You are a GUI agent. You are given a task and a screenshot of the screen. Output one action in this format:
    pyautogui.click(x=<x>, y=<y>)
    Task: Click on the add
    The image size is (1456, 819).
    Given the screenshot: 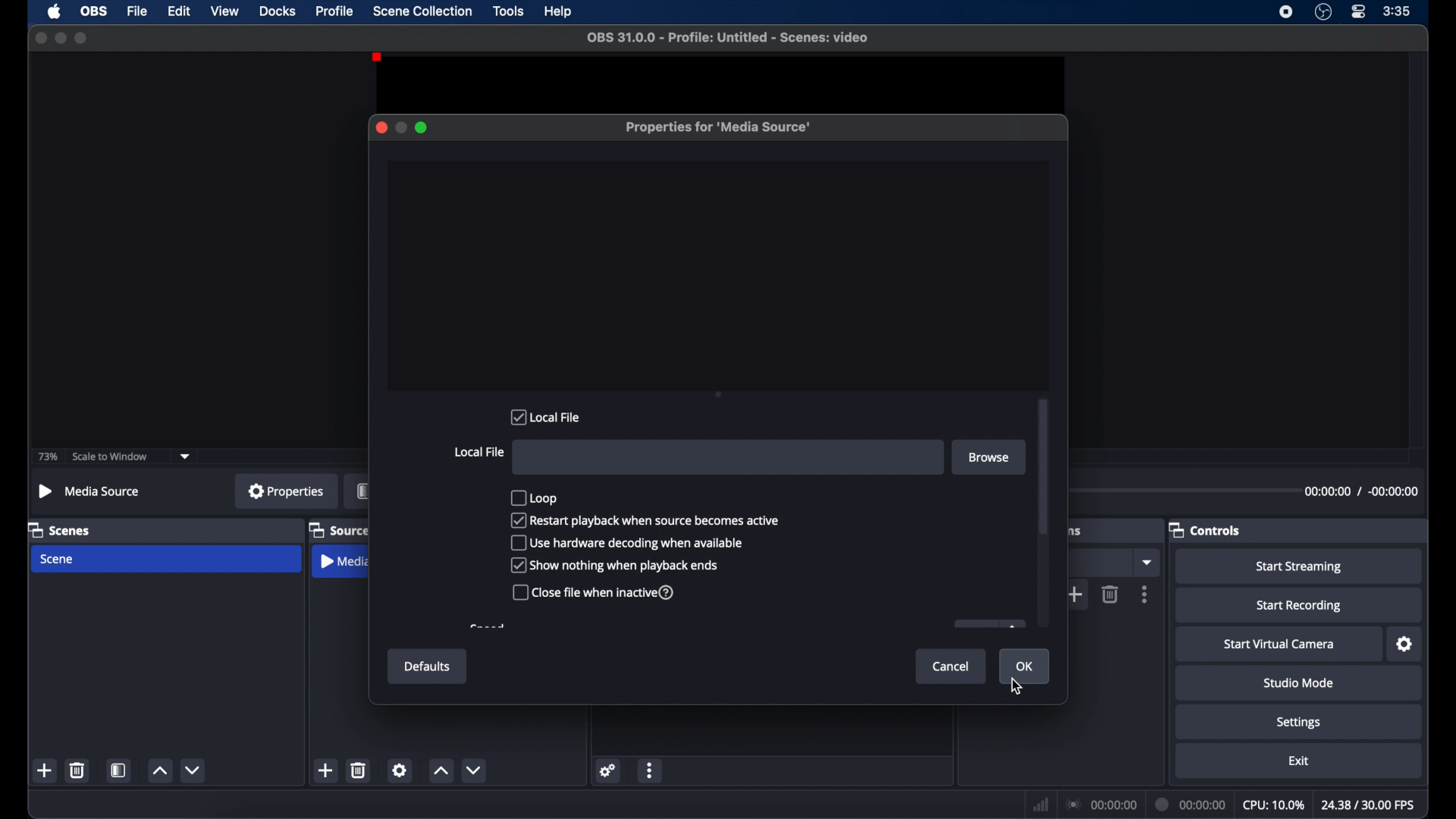 What is the action you would take?
    pyautogui.click(x=326, y=770)
    